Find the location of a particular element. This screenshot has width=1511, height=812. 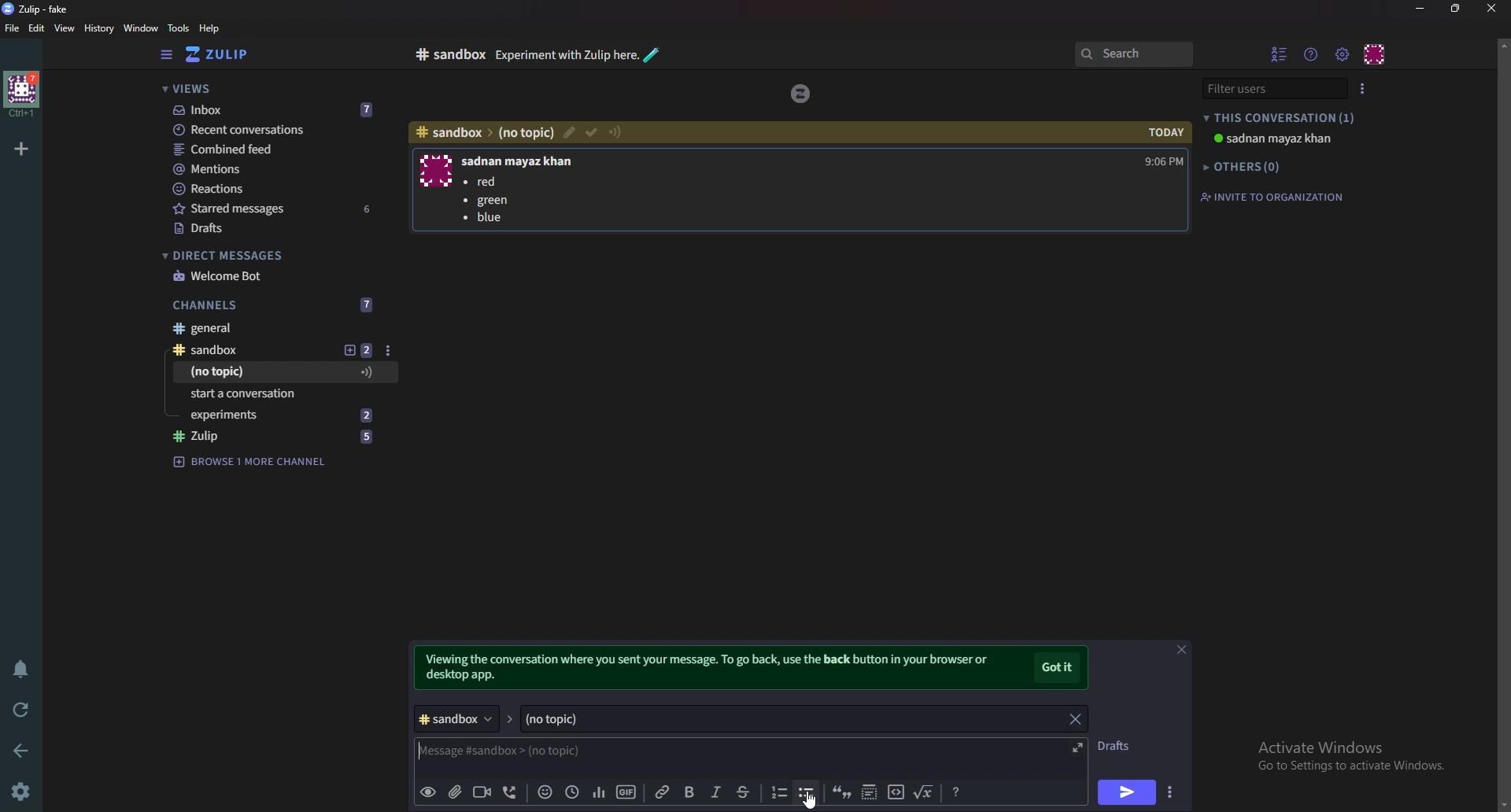

search is located at coordinates (1132, 54).